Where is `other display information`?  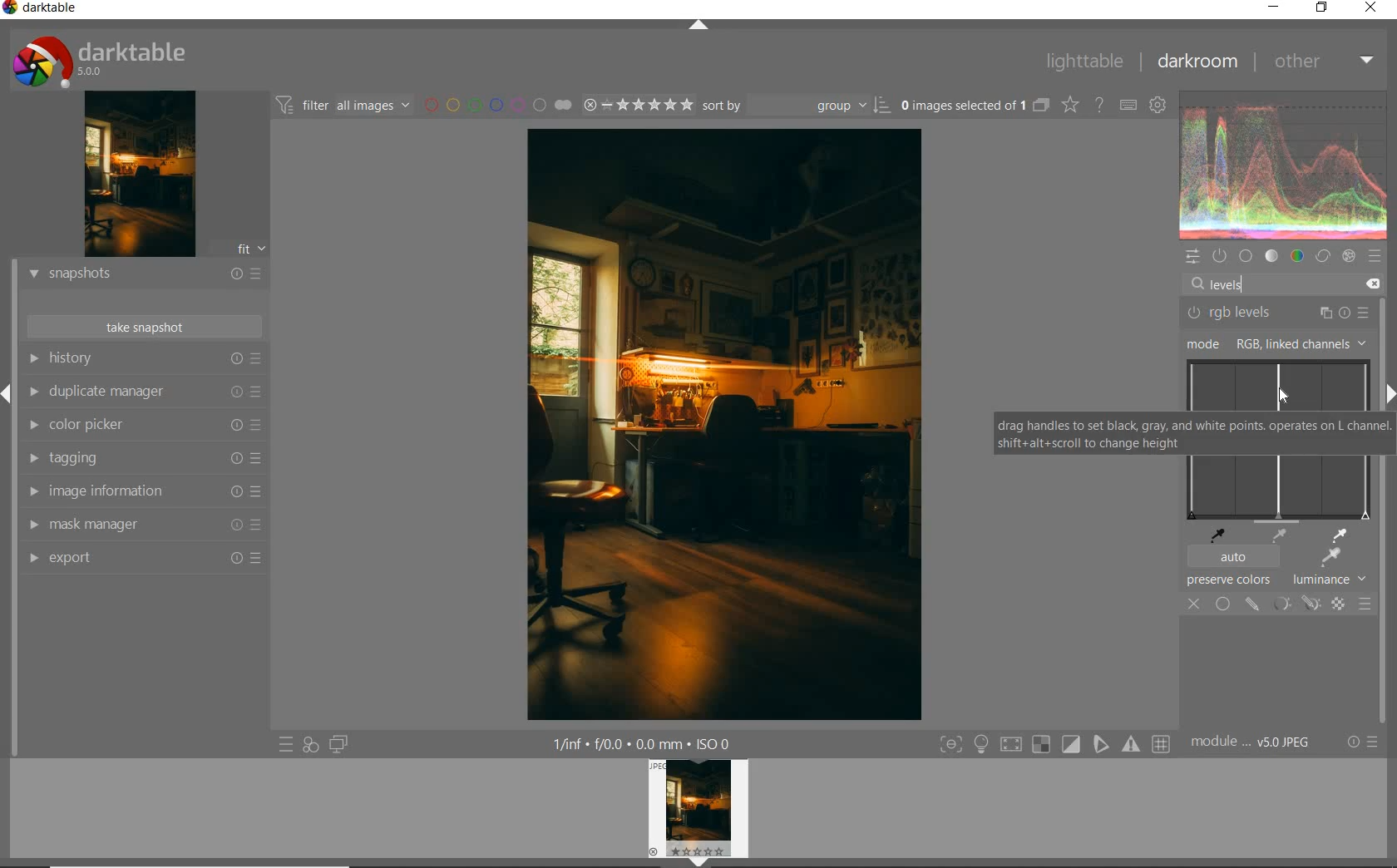 other display information is located at coordinates (643, 742).